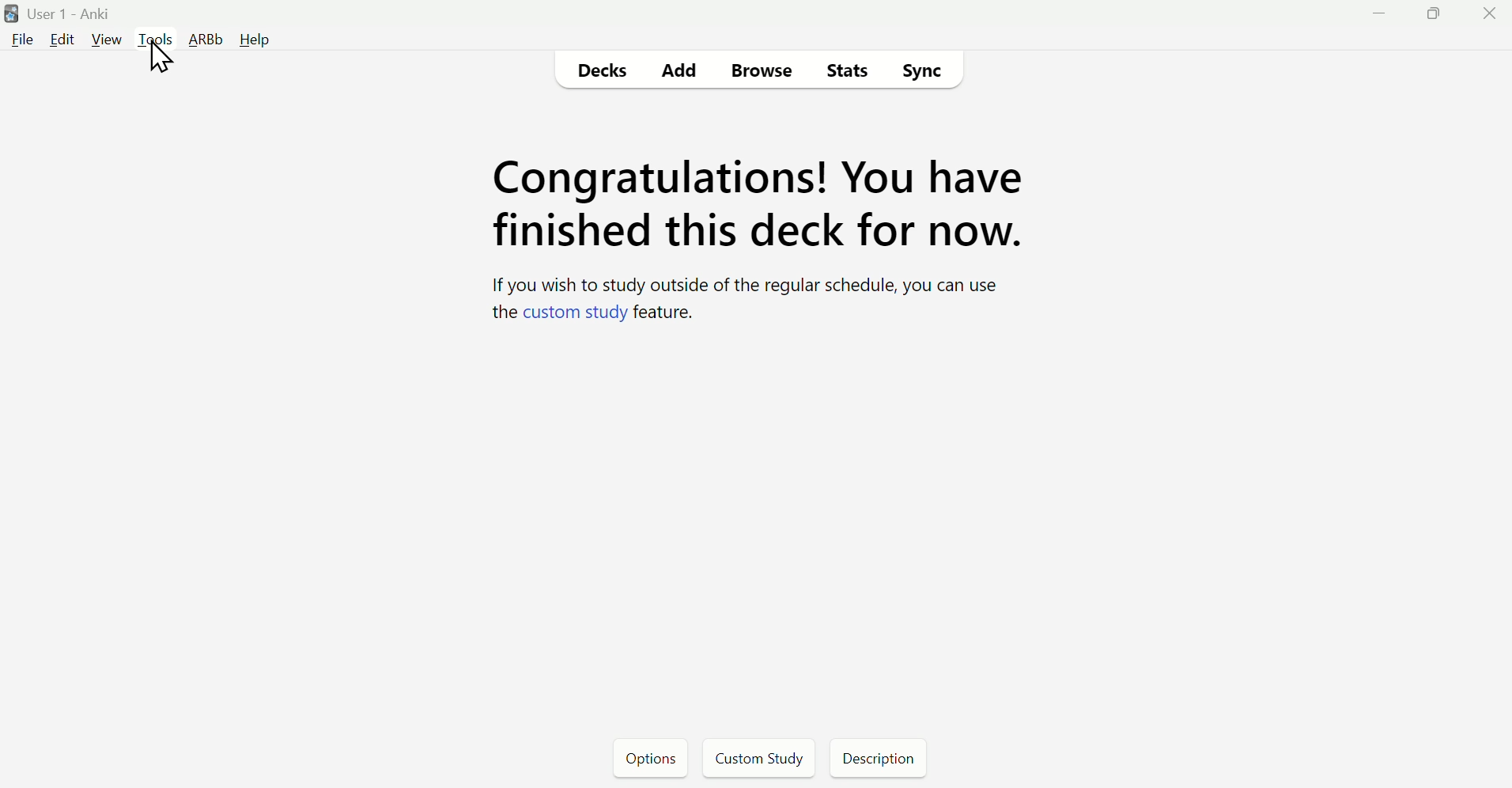 The width and height of the screenshot is (1512, 788). Describe the element at coordinates (23, 39) in the screenshot. I see `File` at that location.